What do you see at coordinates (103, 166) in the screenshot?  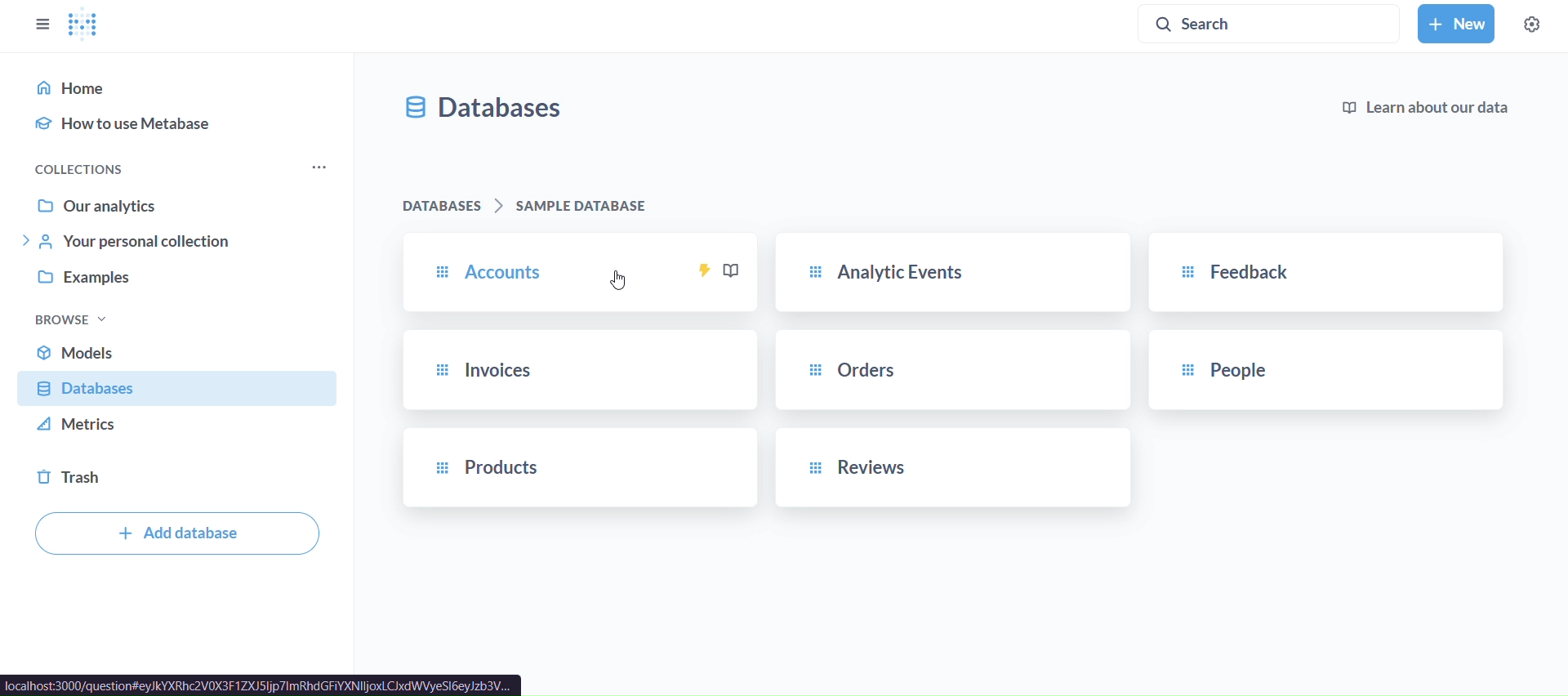 I see `collections` at bounding box center [103, 166].